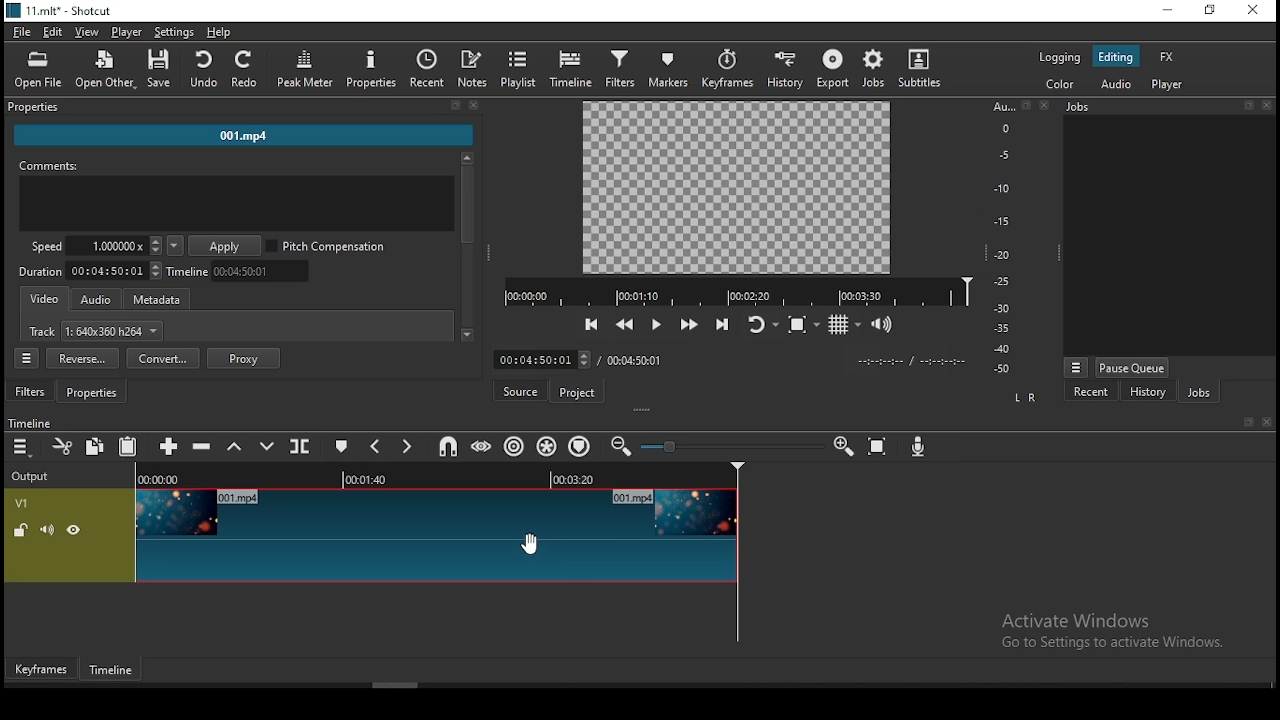 This screenshot has width=1280, height=720. I want to click on 001.mp4, so click(244, 135).